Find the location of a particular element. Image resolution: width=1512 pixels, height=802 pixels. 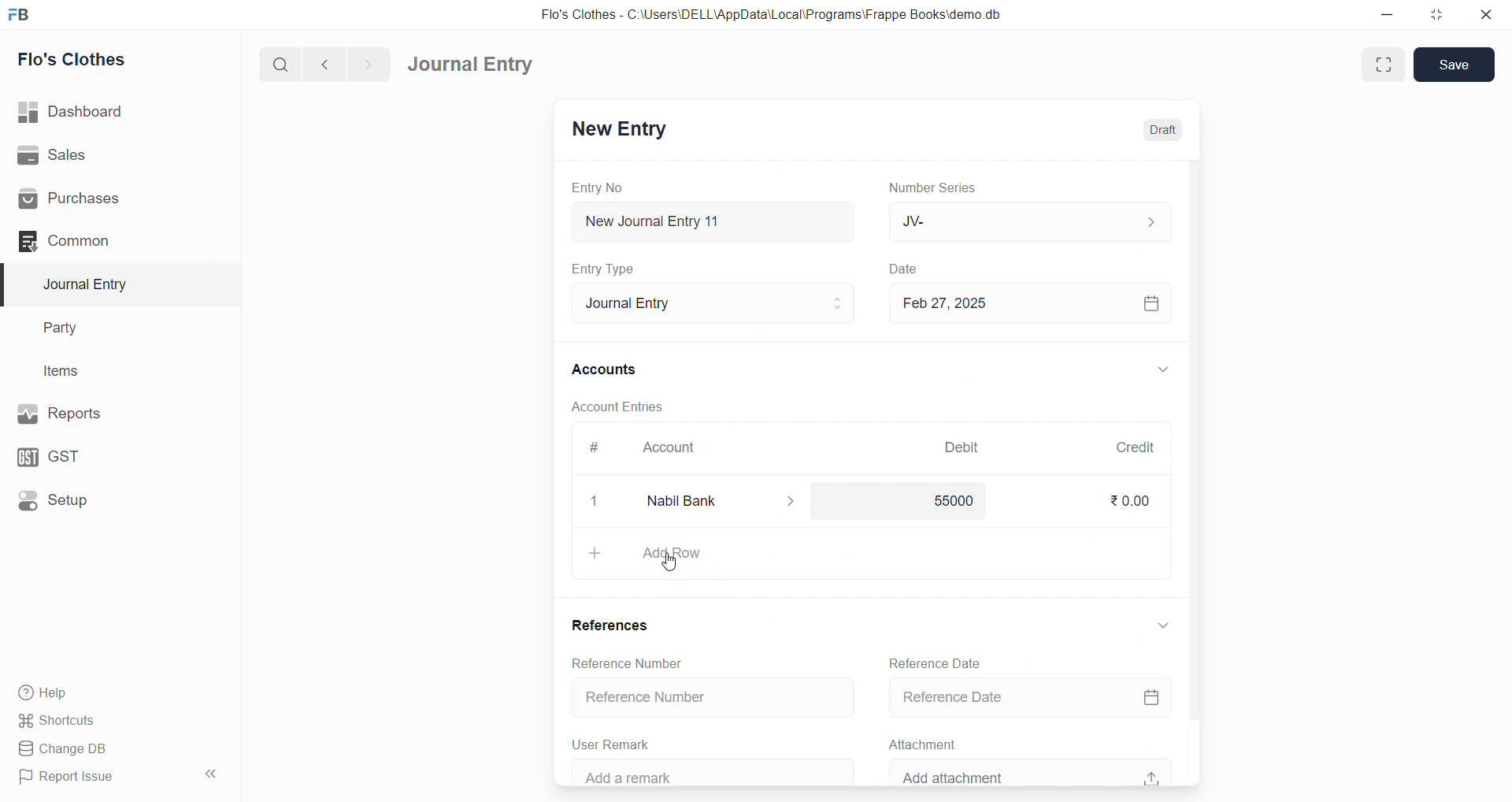

collapse sidebar is located at coordinates (213, 774).